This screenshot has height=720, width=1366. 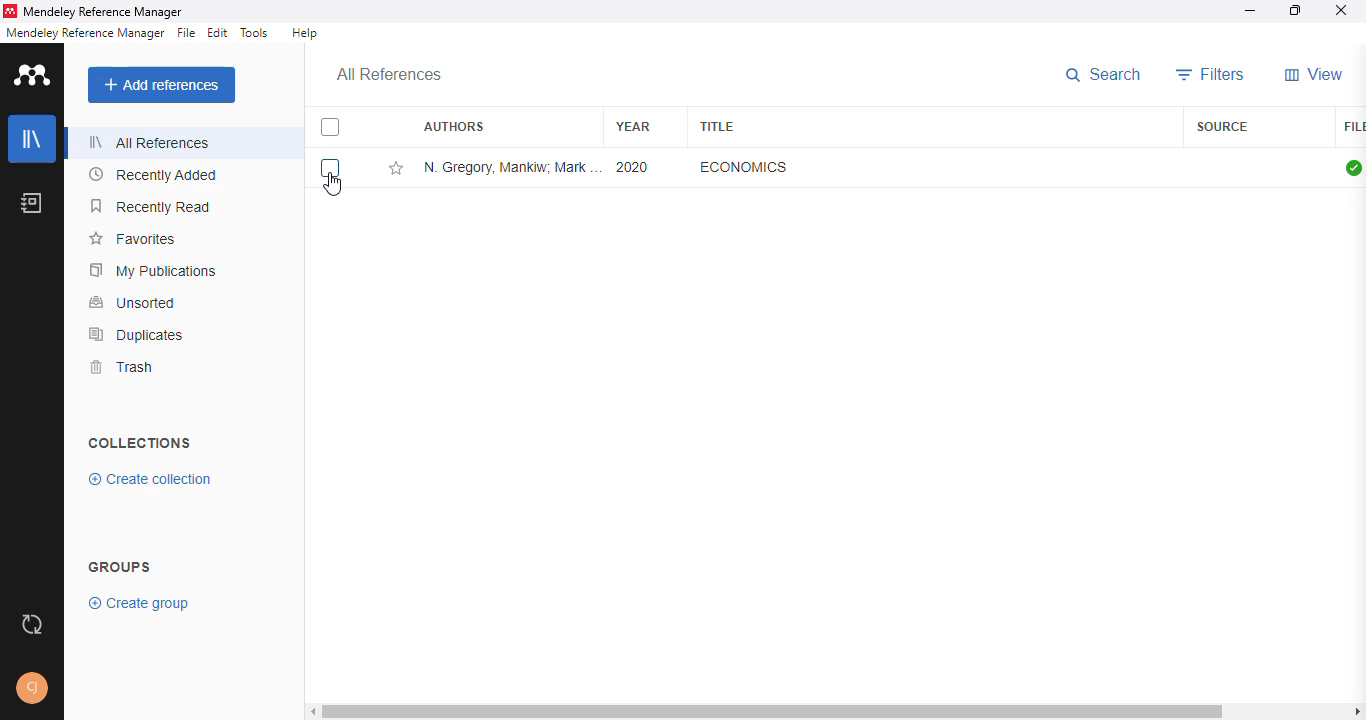 I want to click on title, so click(x=715, y=126).